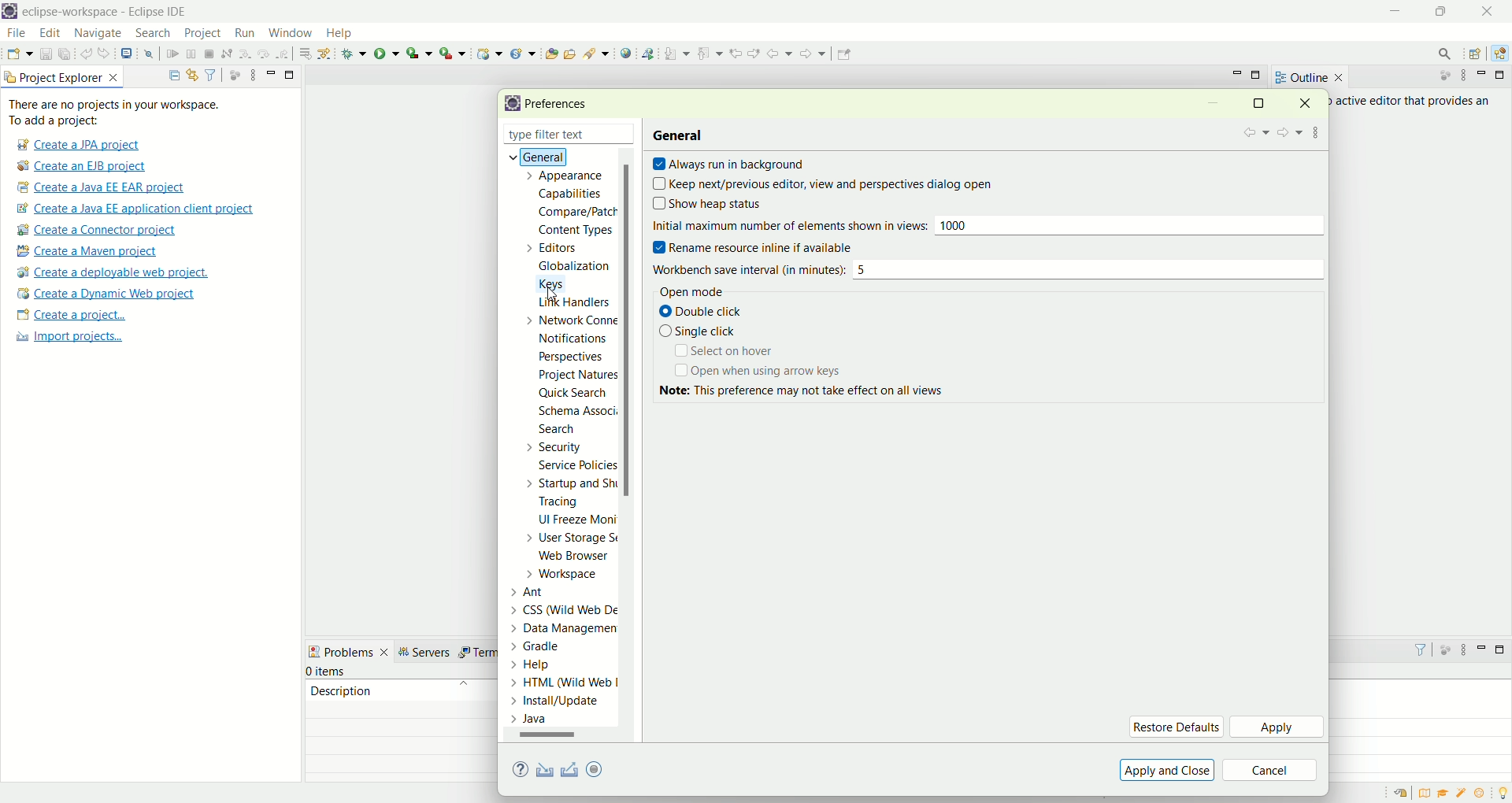 The image size is (1512, 803). I want to click on capabilities, so click(573, 194).